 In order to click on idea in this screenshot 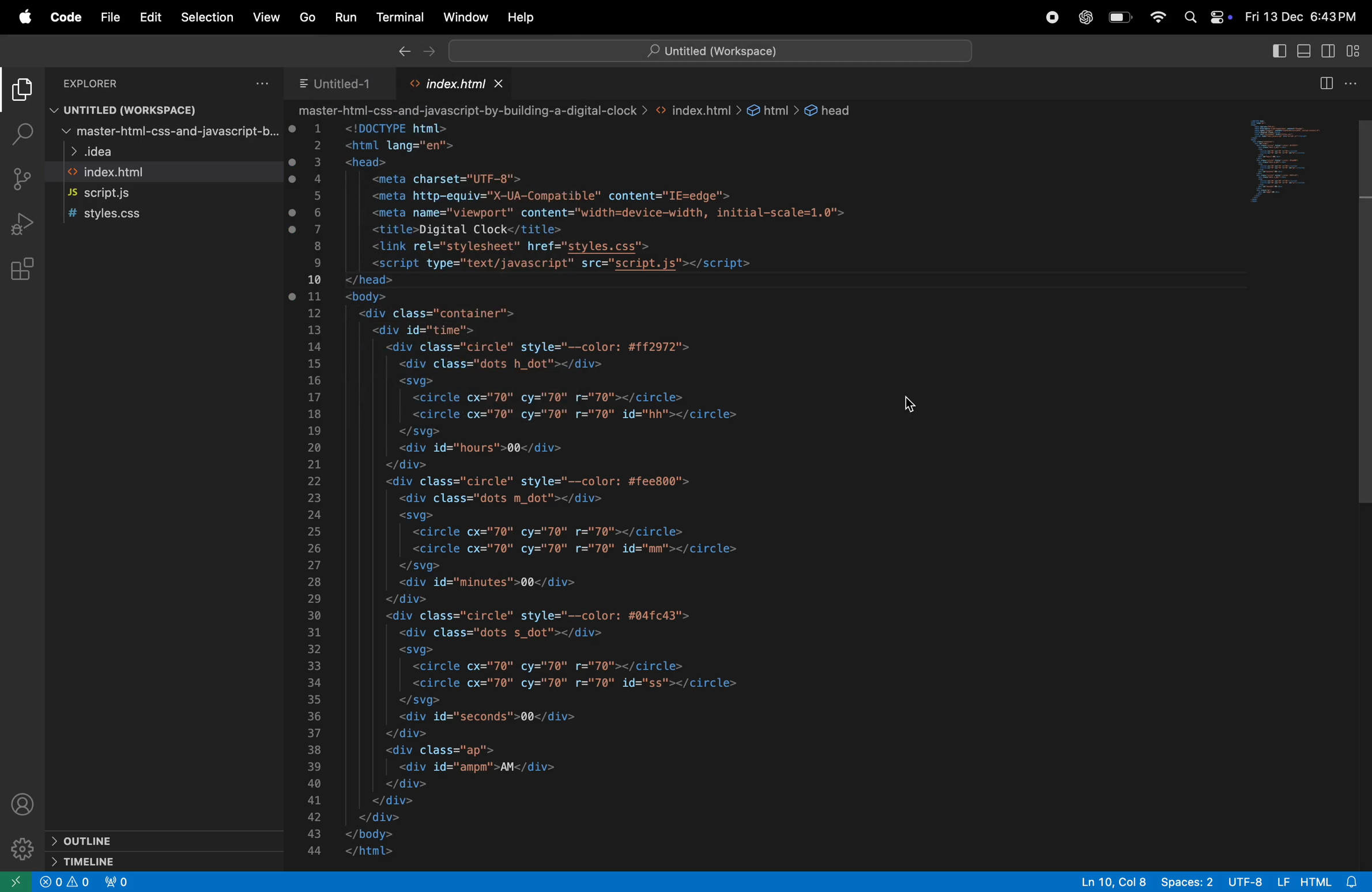, I will do `click(99, 153)`.